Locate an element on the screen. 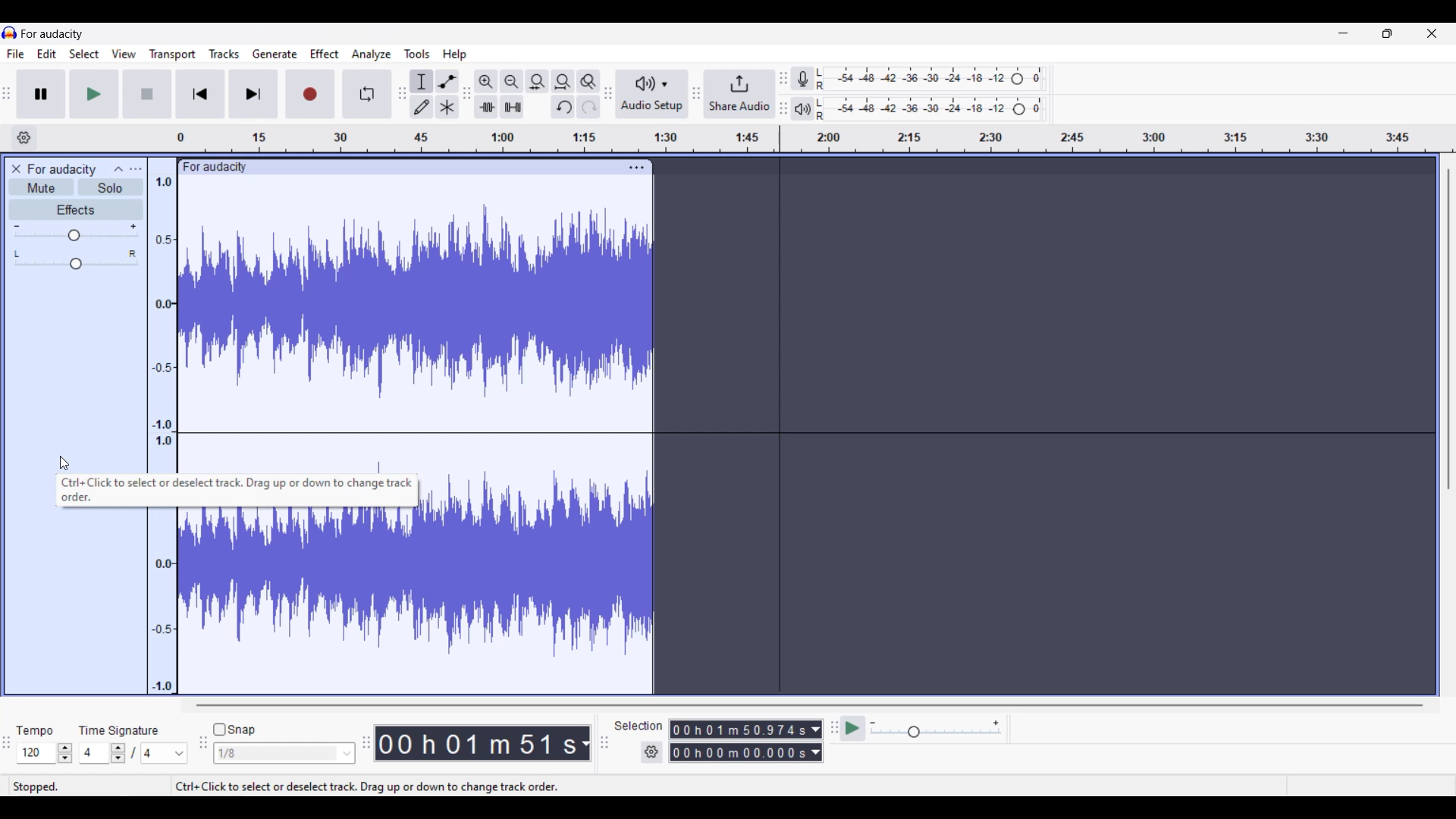 Image resolution: width=1456 pixels, height=819 pixels. Indicates selection duration settings is located at coordinates (639, 726).